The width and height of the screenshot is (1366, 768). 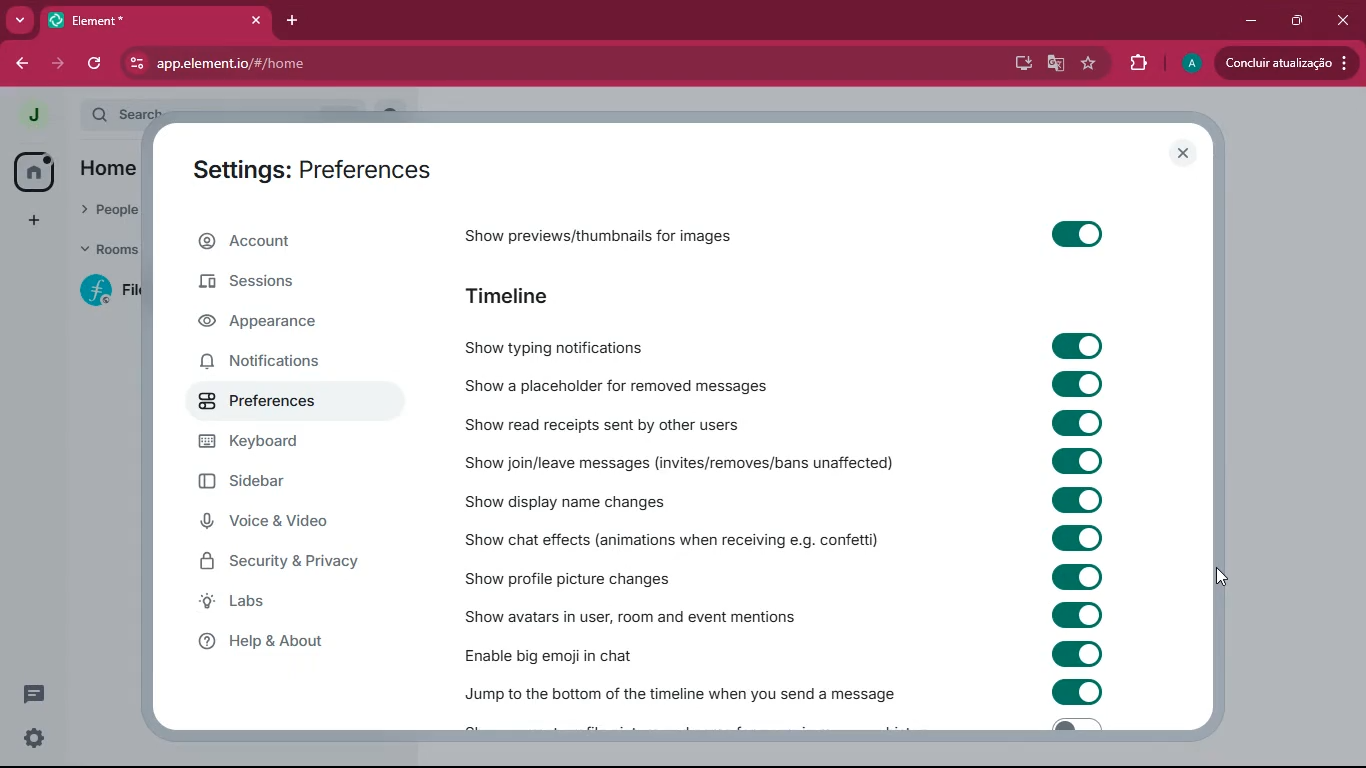 What do you see at coordinates (1078, 537) in the screenshot?
I see `toggle on ` at bounding box center [1078, 537].